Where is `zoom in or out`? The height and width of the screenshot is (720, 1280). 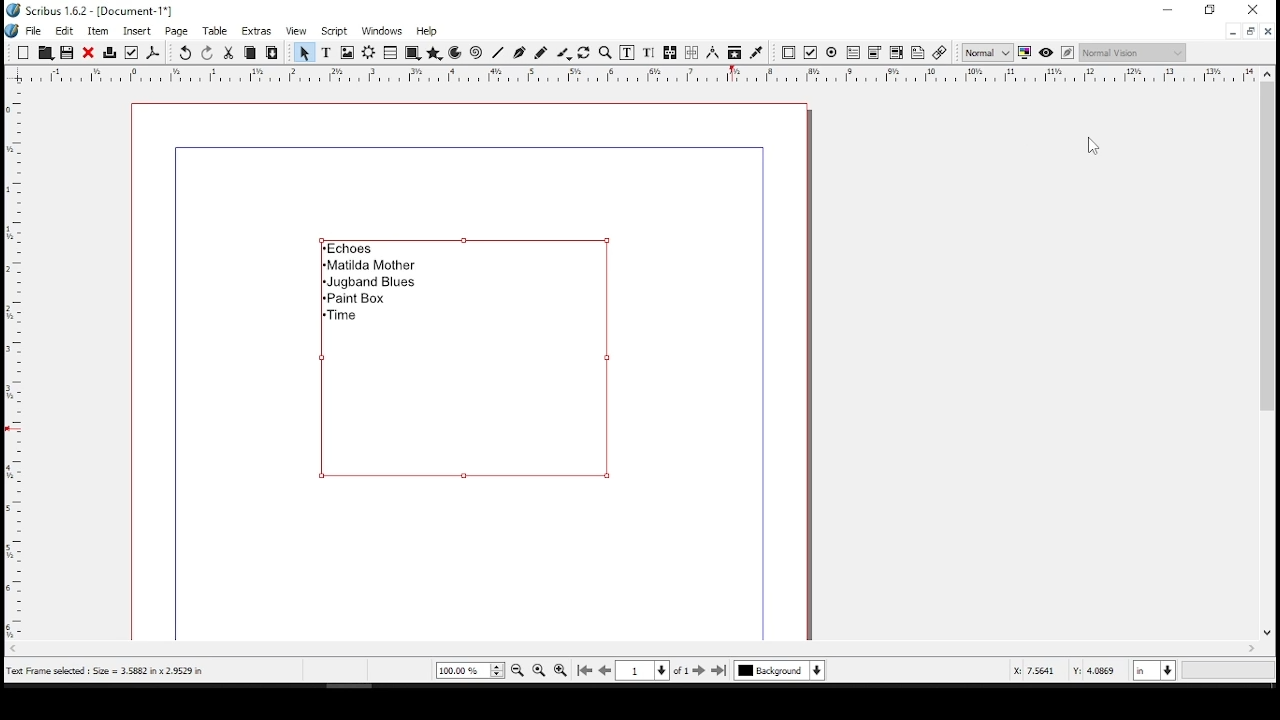 zoom in or out is located at coordinates (607, 52).